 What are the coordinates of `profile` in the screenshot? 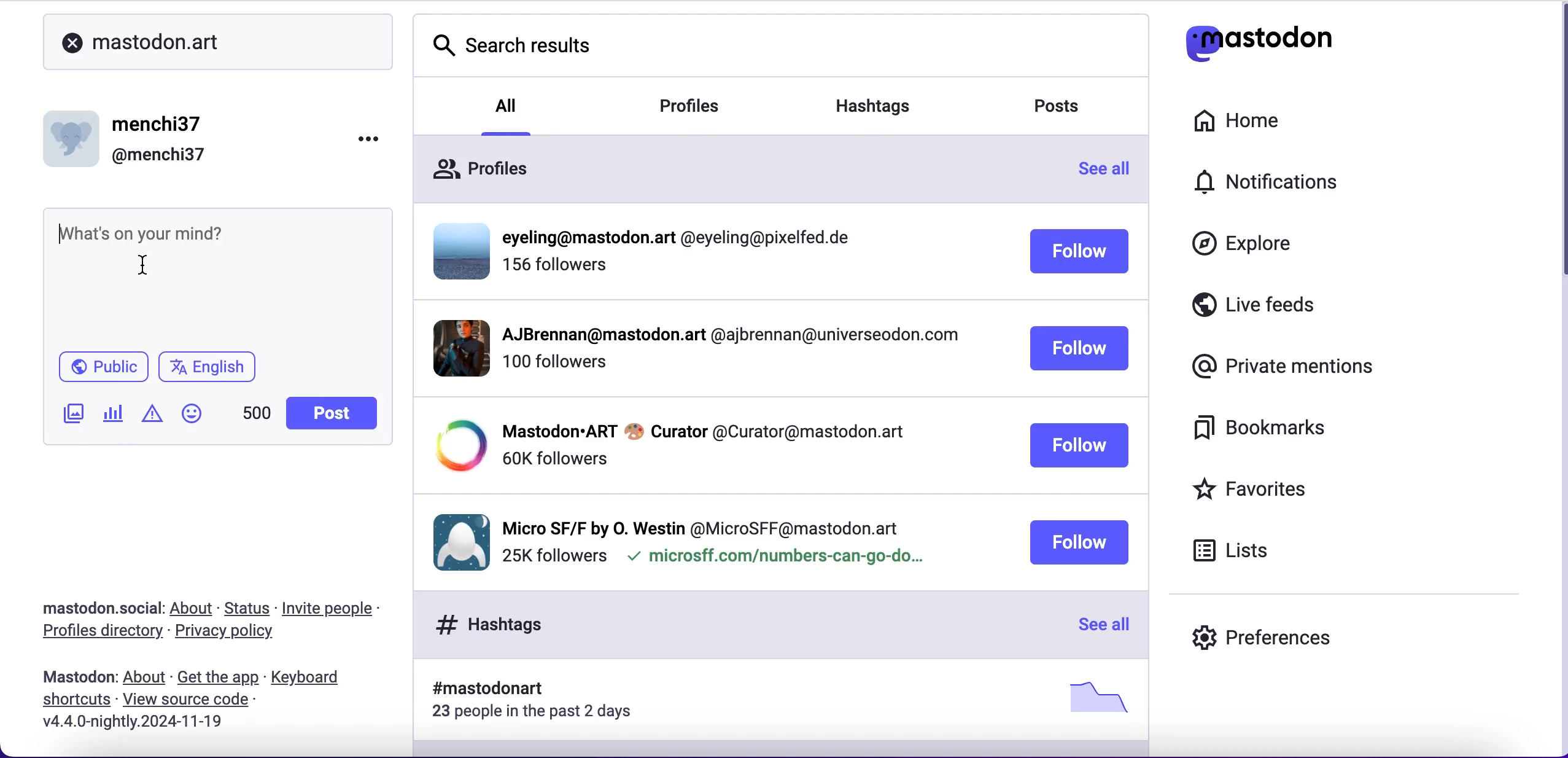 It's located at (702, 525).